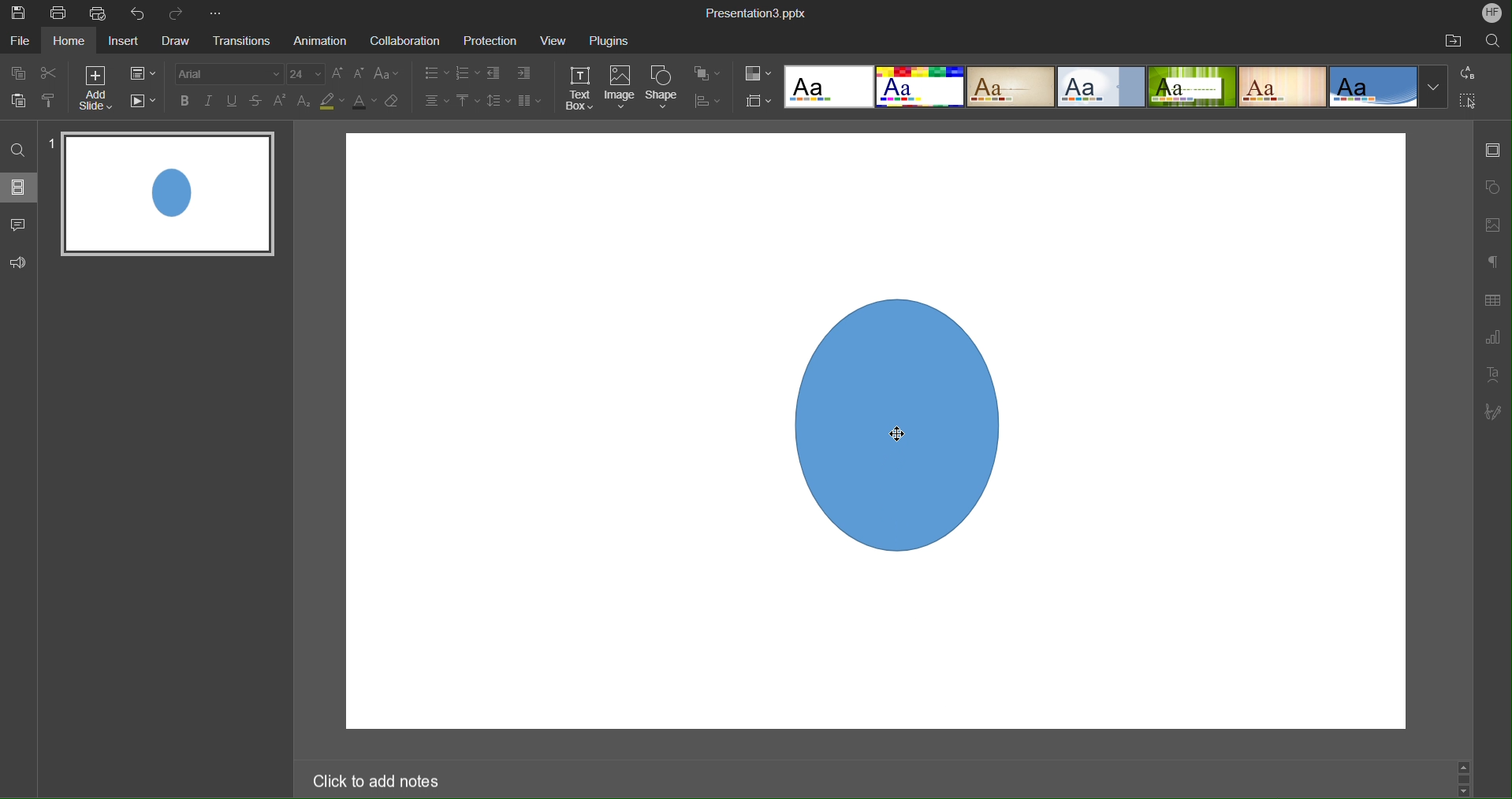  What do you see at coordinates (610, 42) in the screenshot?
I see `Plugins` at bounding box center [610, 42].